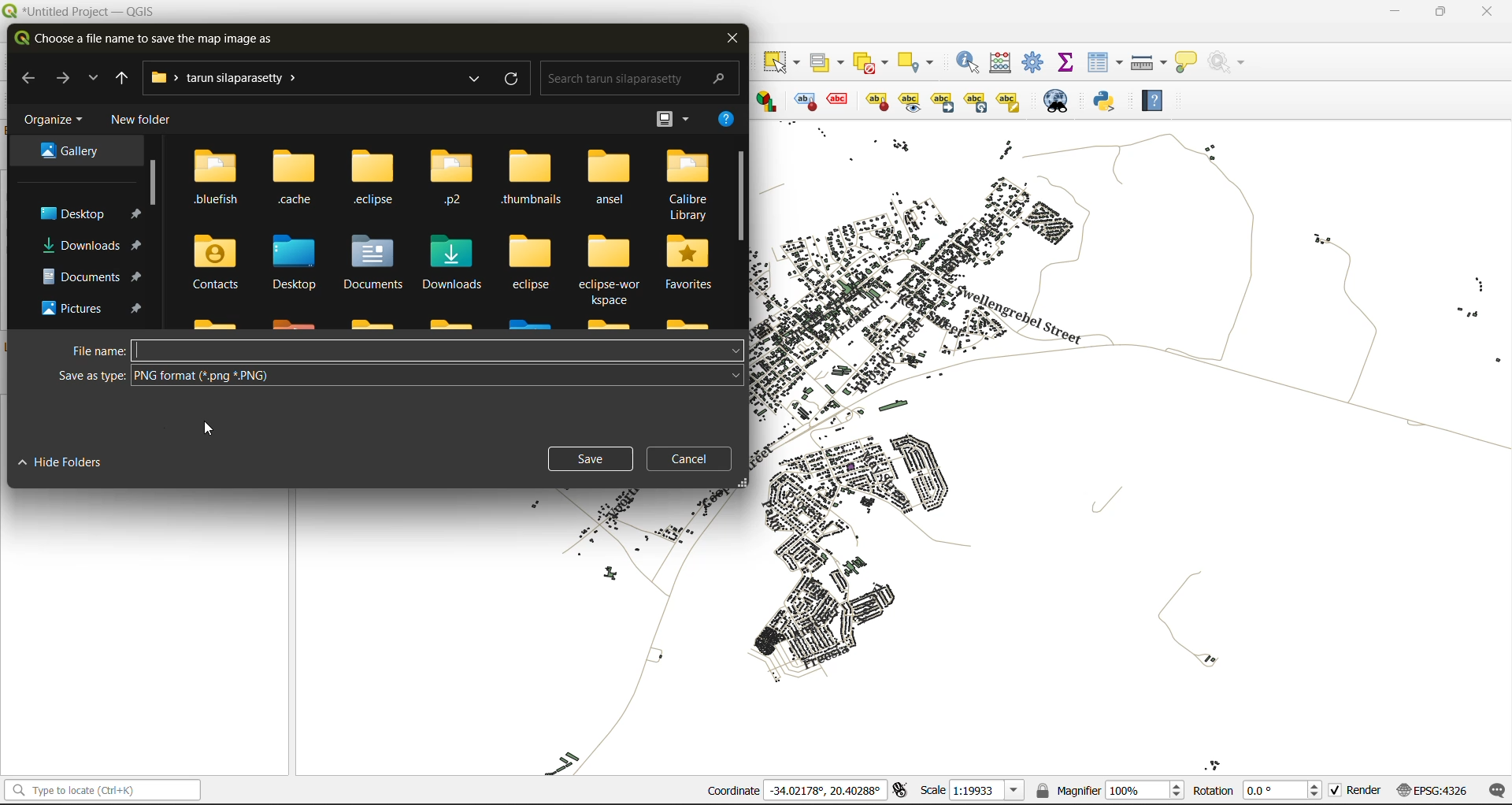  Describe the element at coordinates (402, 349) in the screenshot. I see `file name` at that location.